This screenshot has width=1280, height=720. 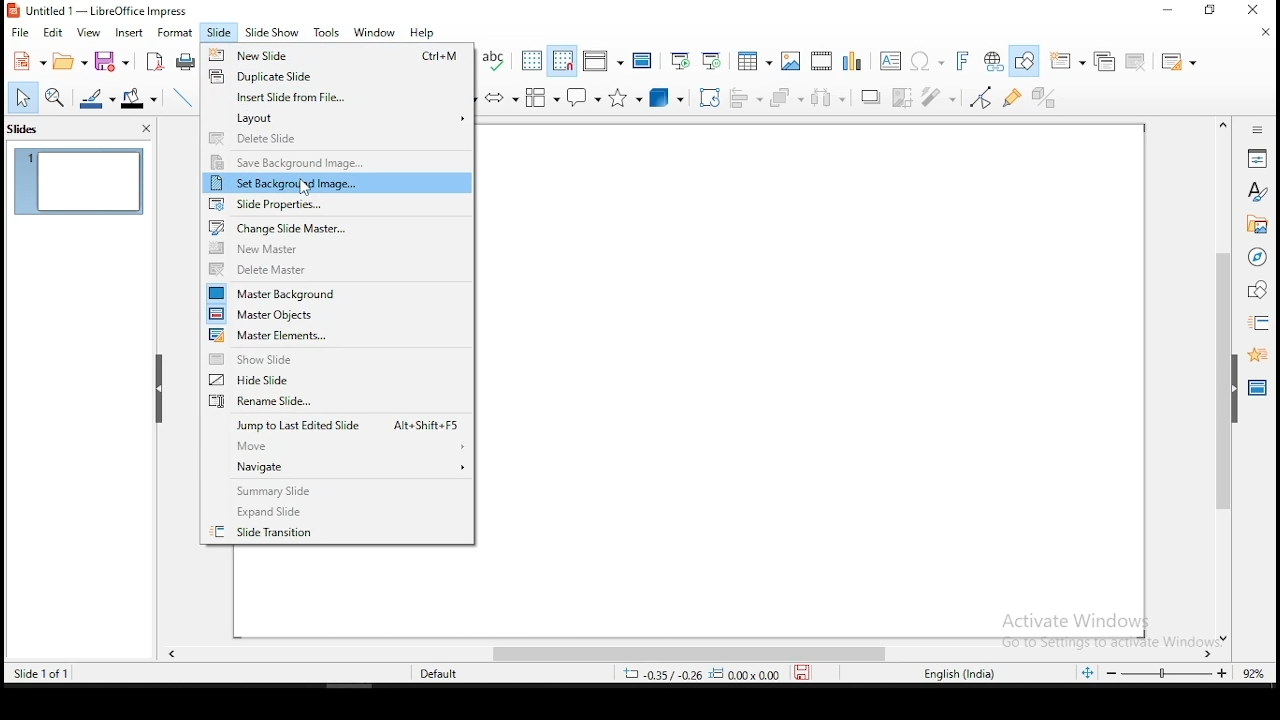 What do you see at coordinates (1264, 31) in the screenshot?
I see `close` at bounding box center [1264, 31].